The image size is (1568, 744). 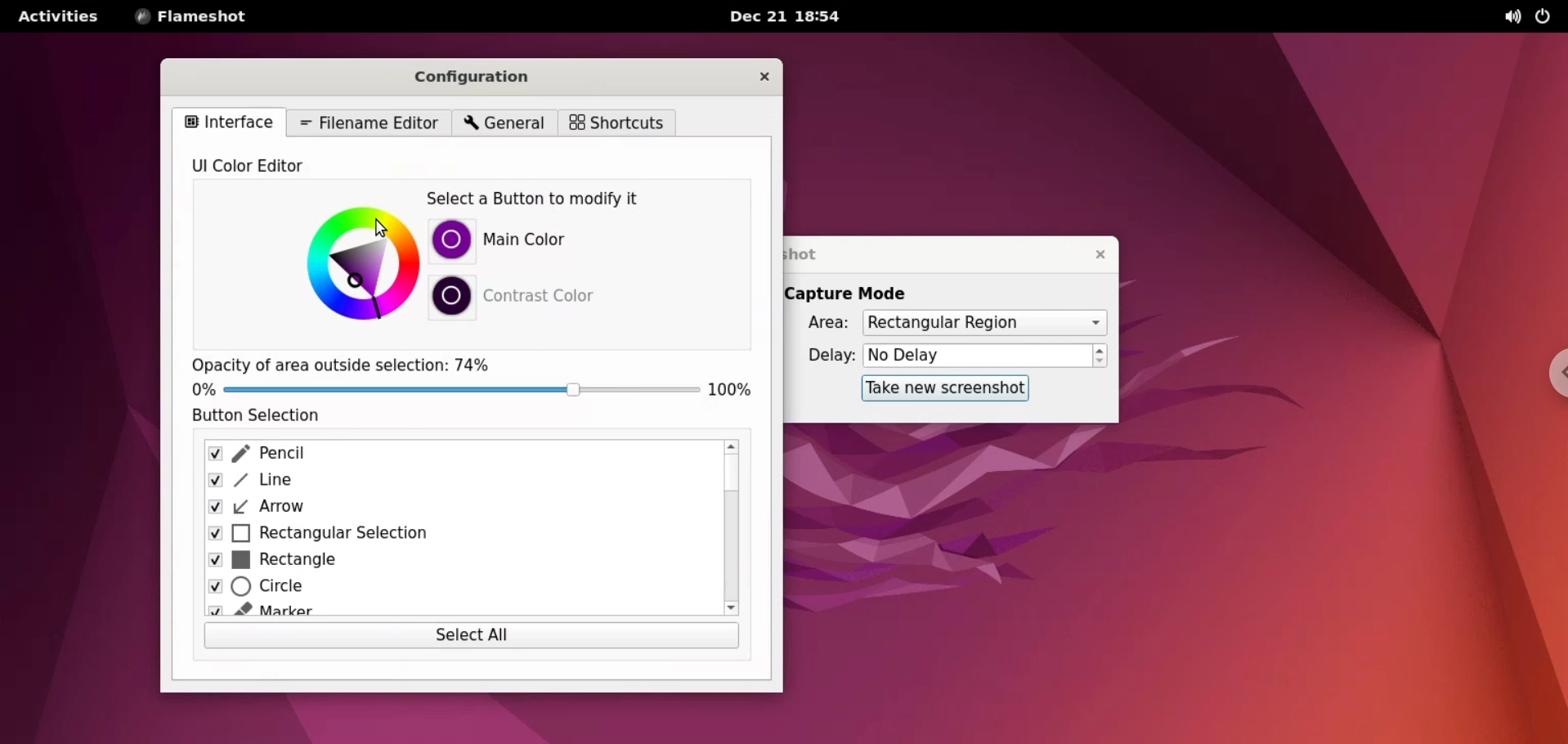 What do you see at coordinates (824, 324) in the screenshot?
I see `area :` at bounding box center [824, 324].